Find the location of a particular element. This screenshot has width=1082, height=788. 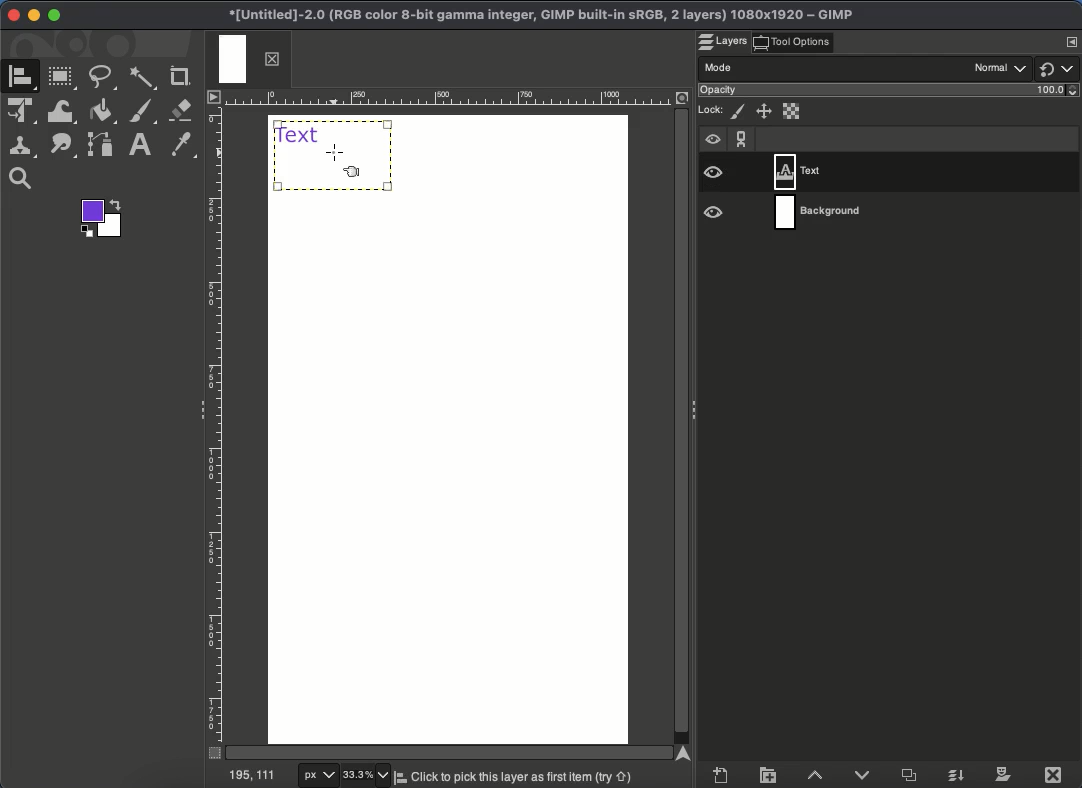

Menu is located at coordinates (212, 96).